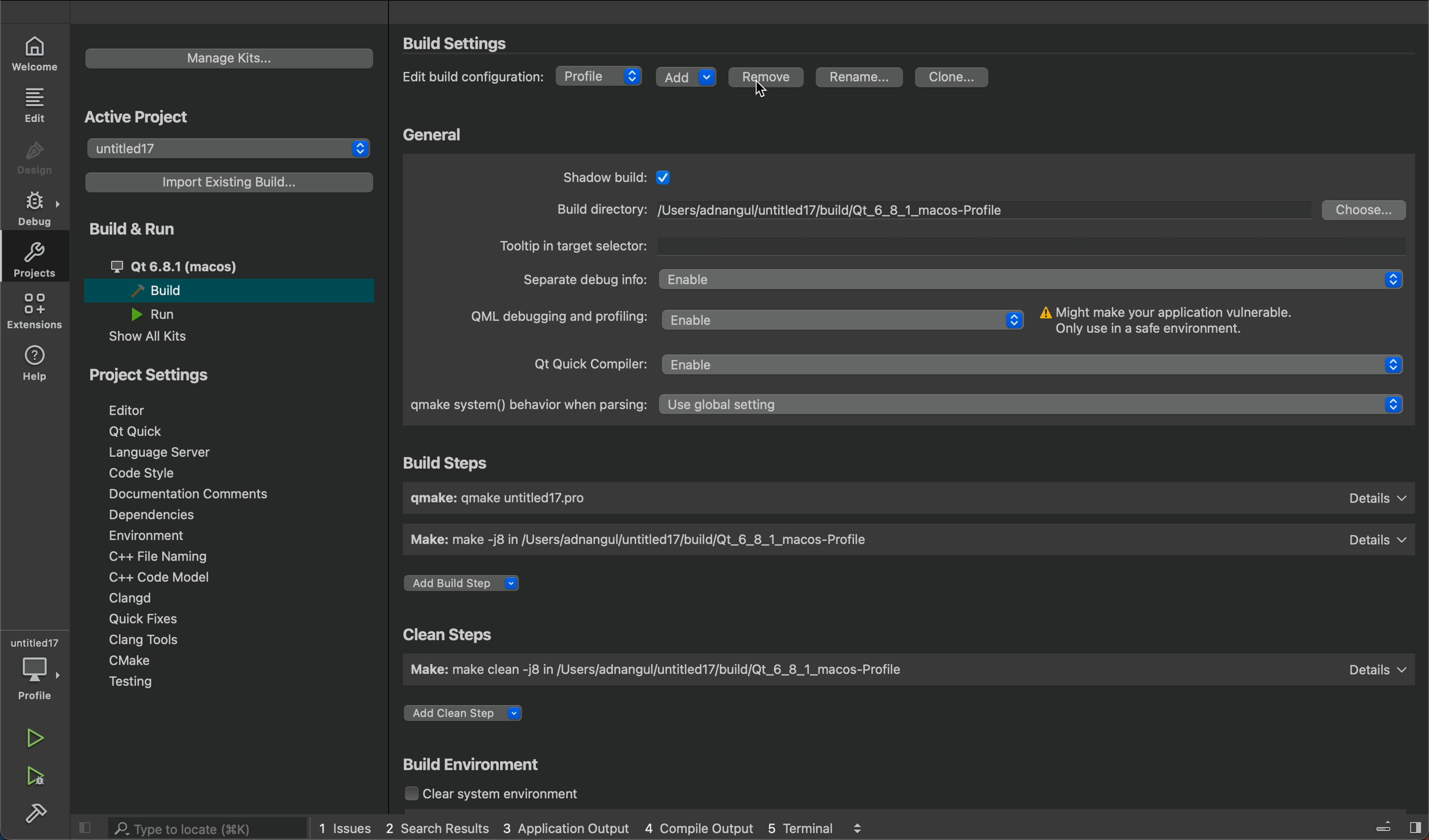 Image resolution: width=1429 pixels, height=840 pixels. What do you see at coordinates (142, 639) in the screenshot?
I see `clang tools` at bounding box center [142, 639].